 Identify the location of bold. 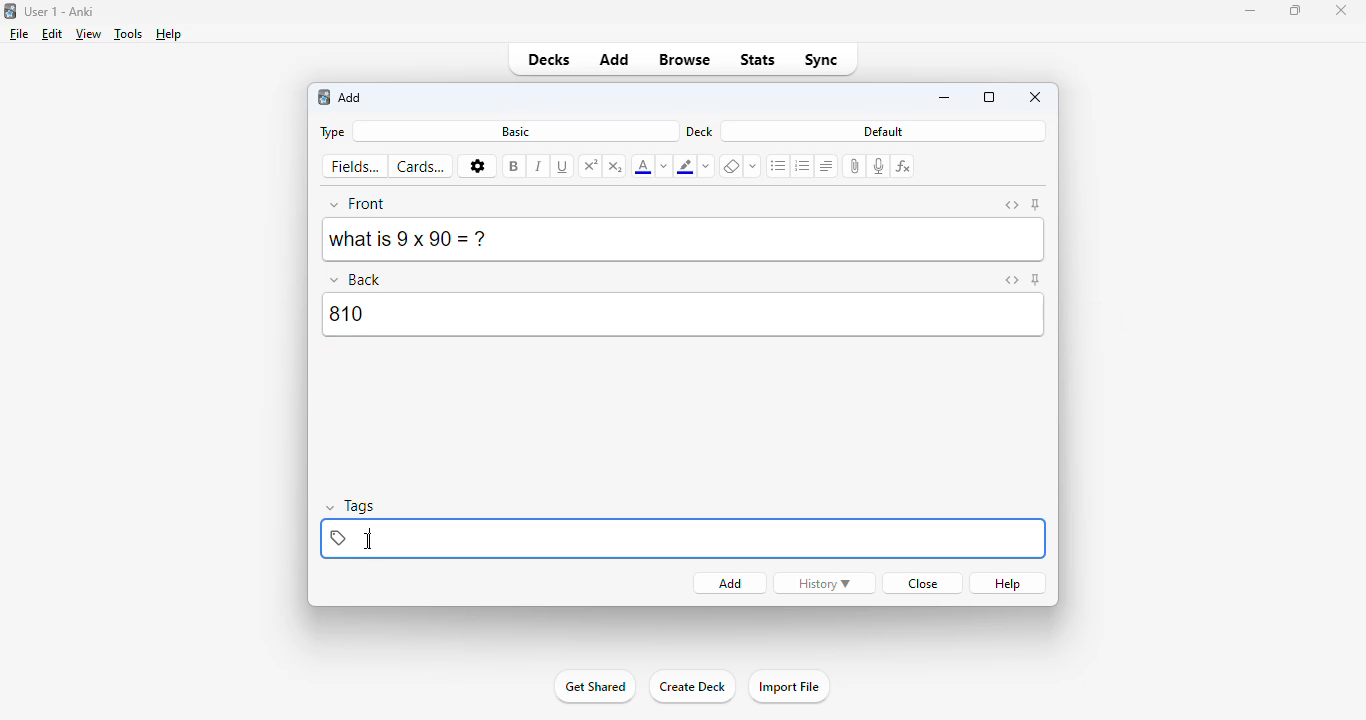
(514, 166).